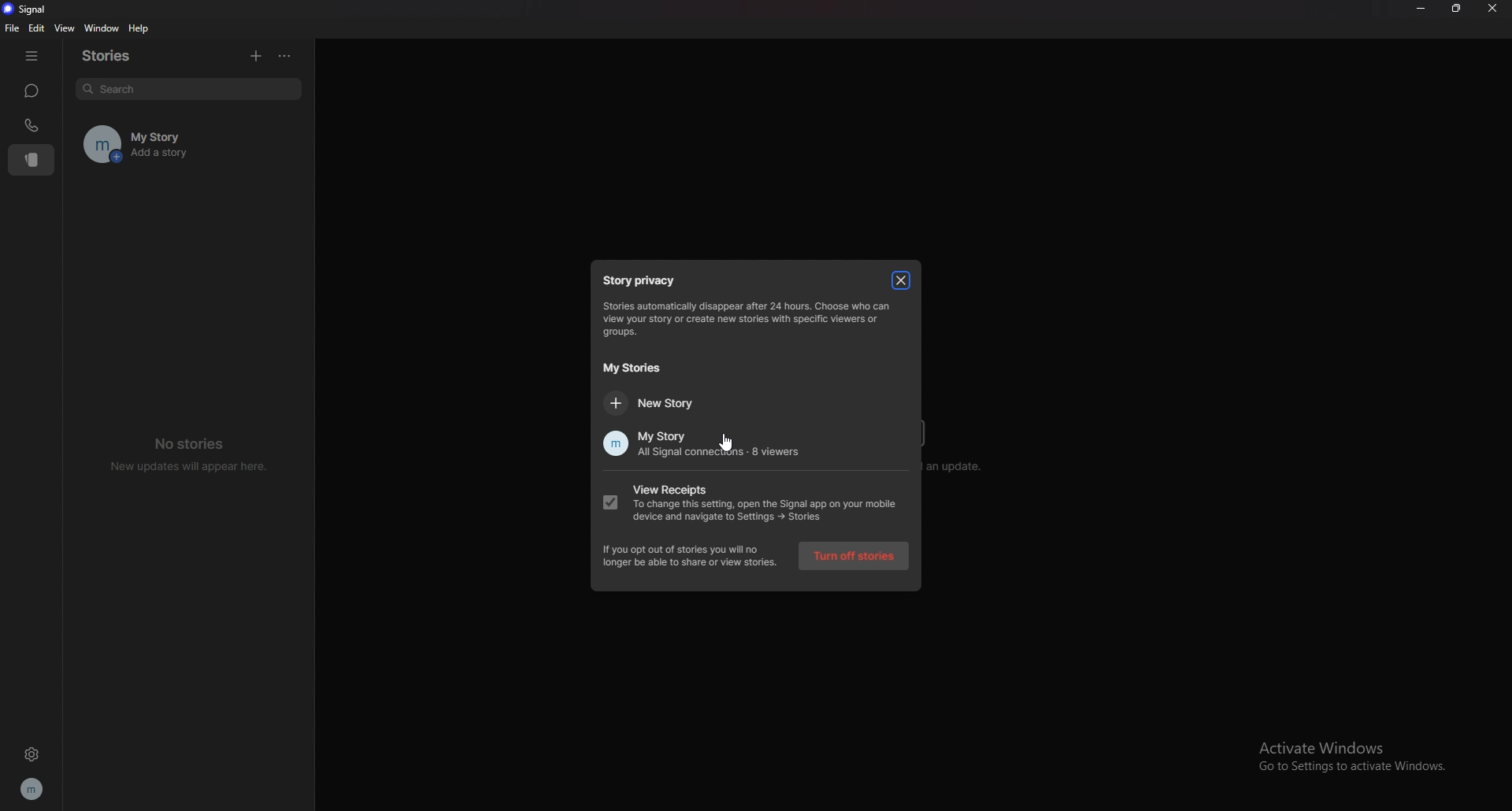 The height and width of the screenshot is (811, 1512). Describe the element at coordinates (188, 145) in the screenshot. I see `my story` at that location.